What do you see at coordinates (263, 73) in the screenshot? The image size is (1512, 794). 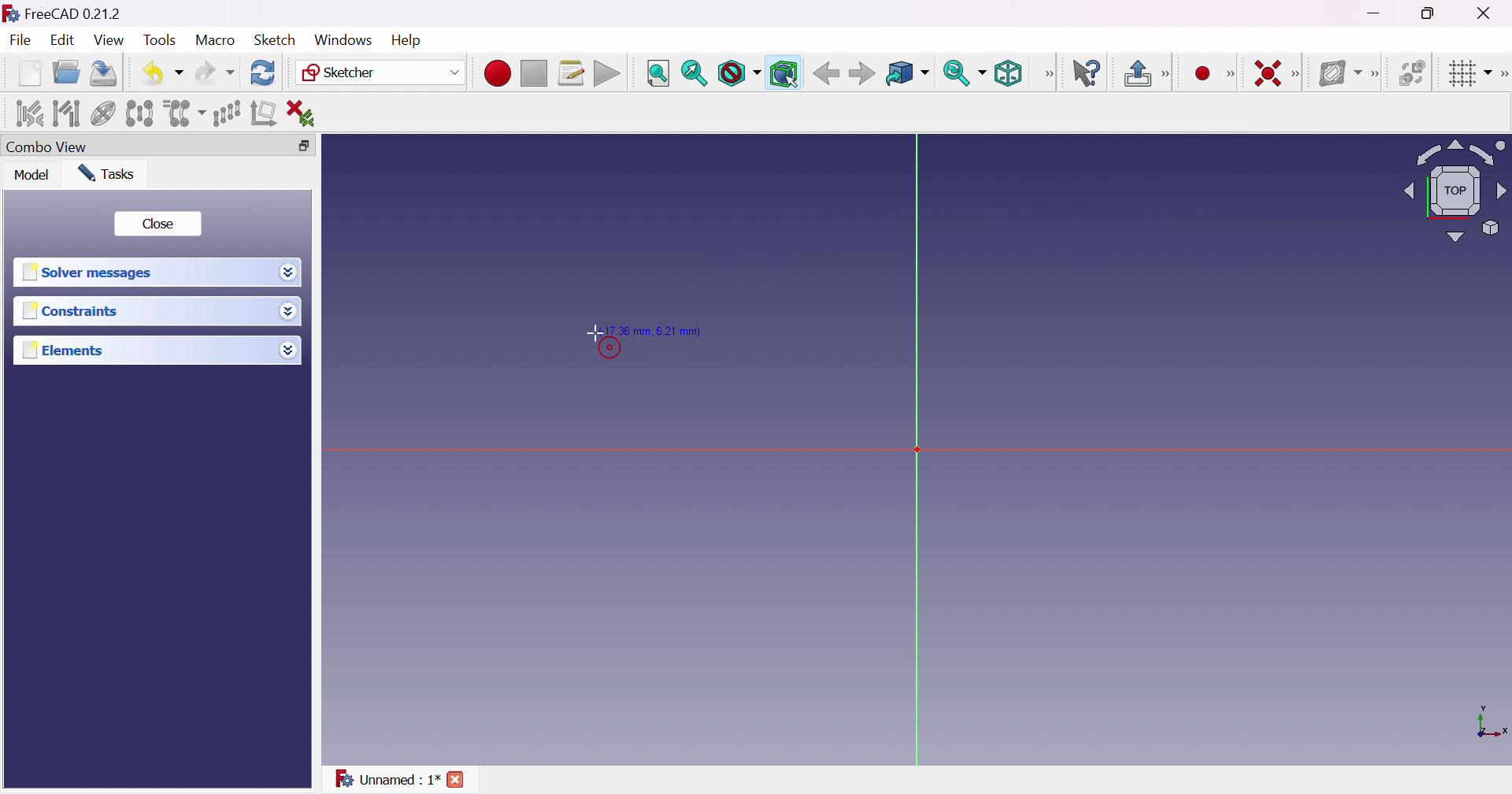 I see `Refresh` at bounding box center [263, 73].